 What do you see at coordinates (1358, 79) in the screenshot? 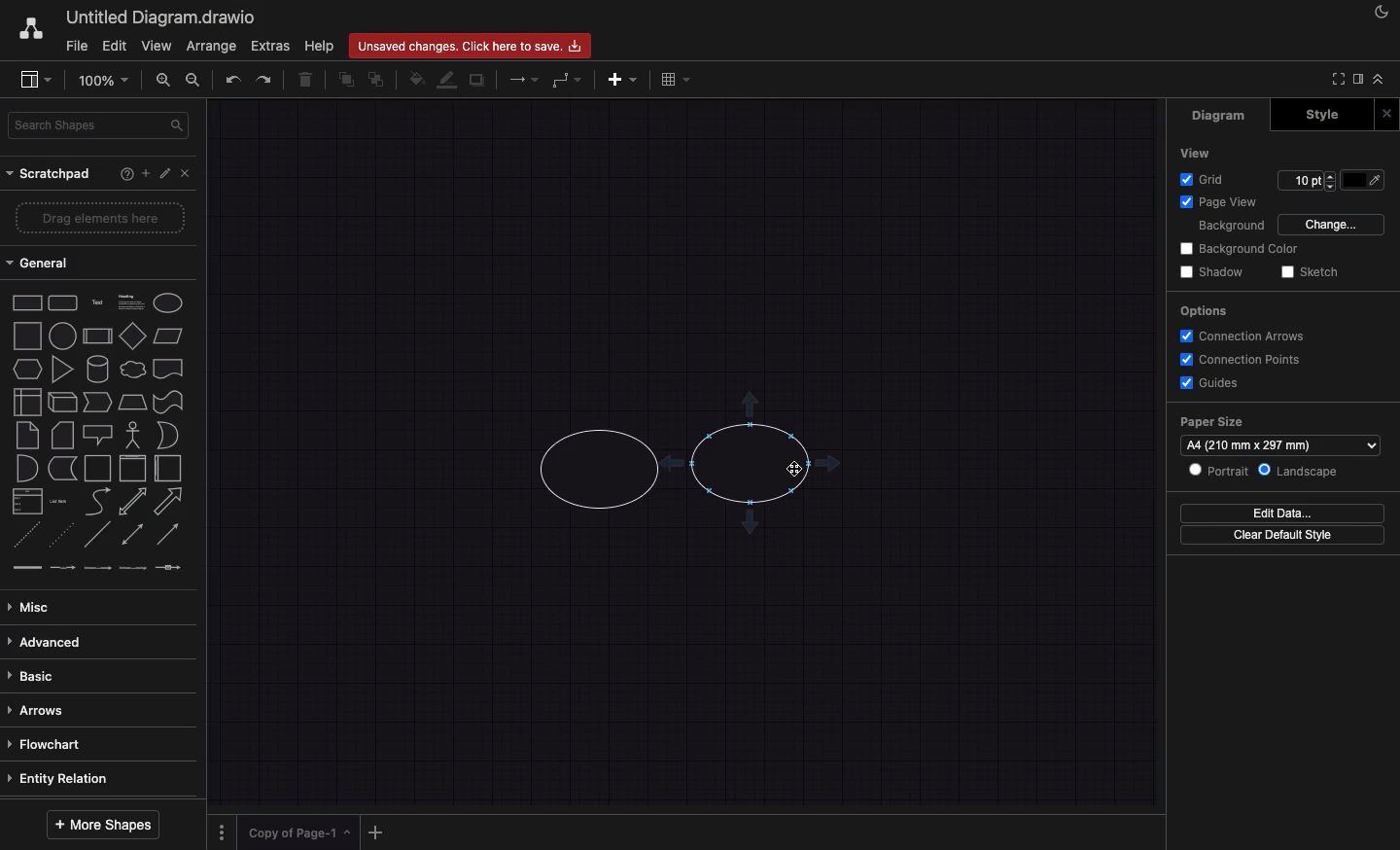
I see `format` at bounding box center [1358, 79].